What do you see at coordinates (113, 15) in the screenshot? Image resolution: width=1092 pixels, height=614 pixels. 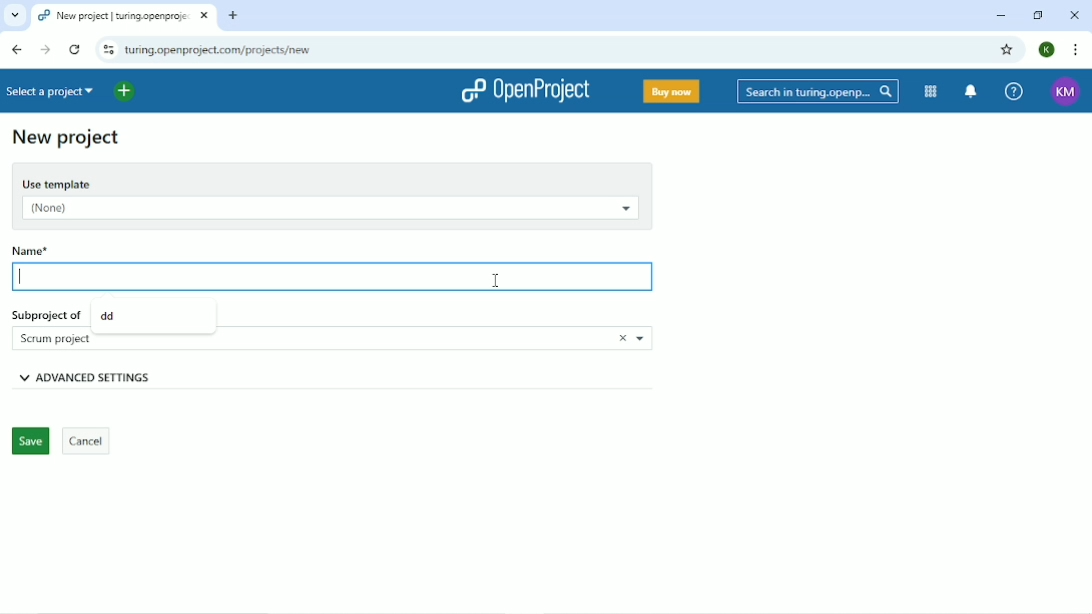 I see `projects | turing.openproject.com` at bounding box center [113, 15].